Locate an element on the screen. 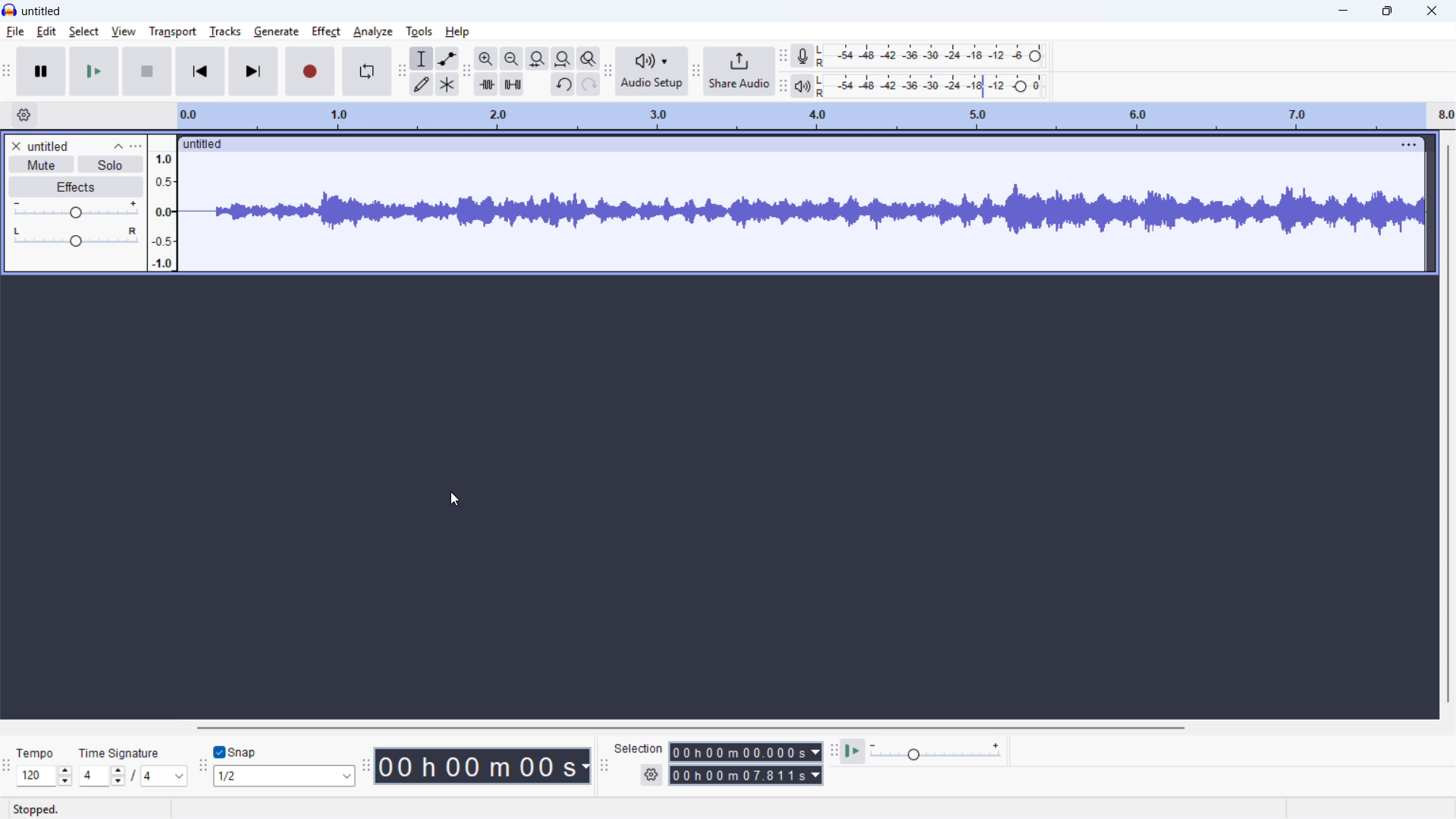  undo is located at coordinates (562, 84).